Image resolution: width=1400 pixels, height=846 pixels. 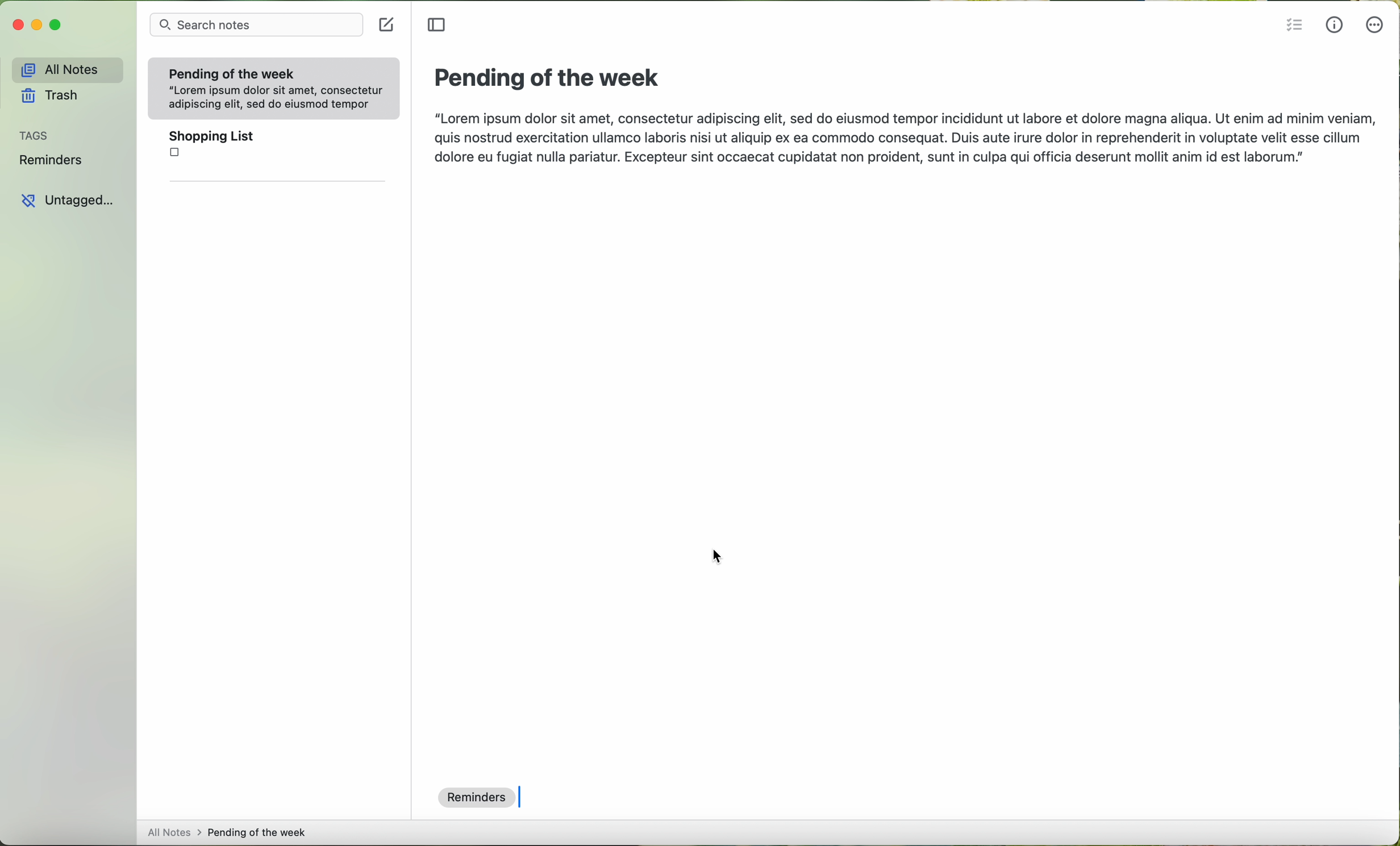 I want to click on text cursor, so click(x=524, y=797).